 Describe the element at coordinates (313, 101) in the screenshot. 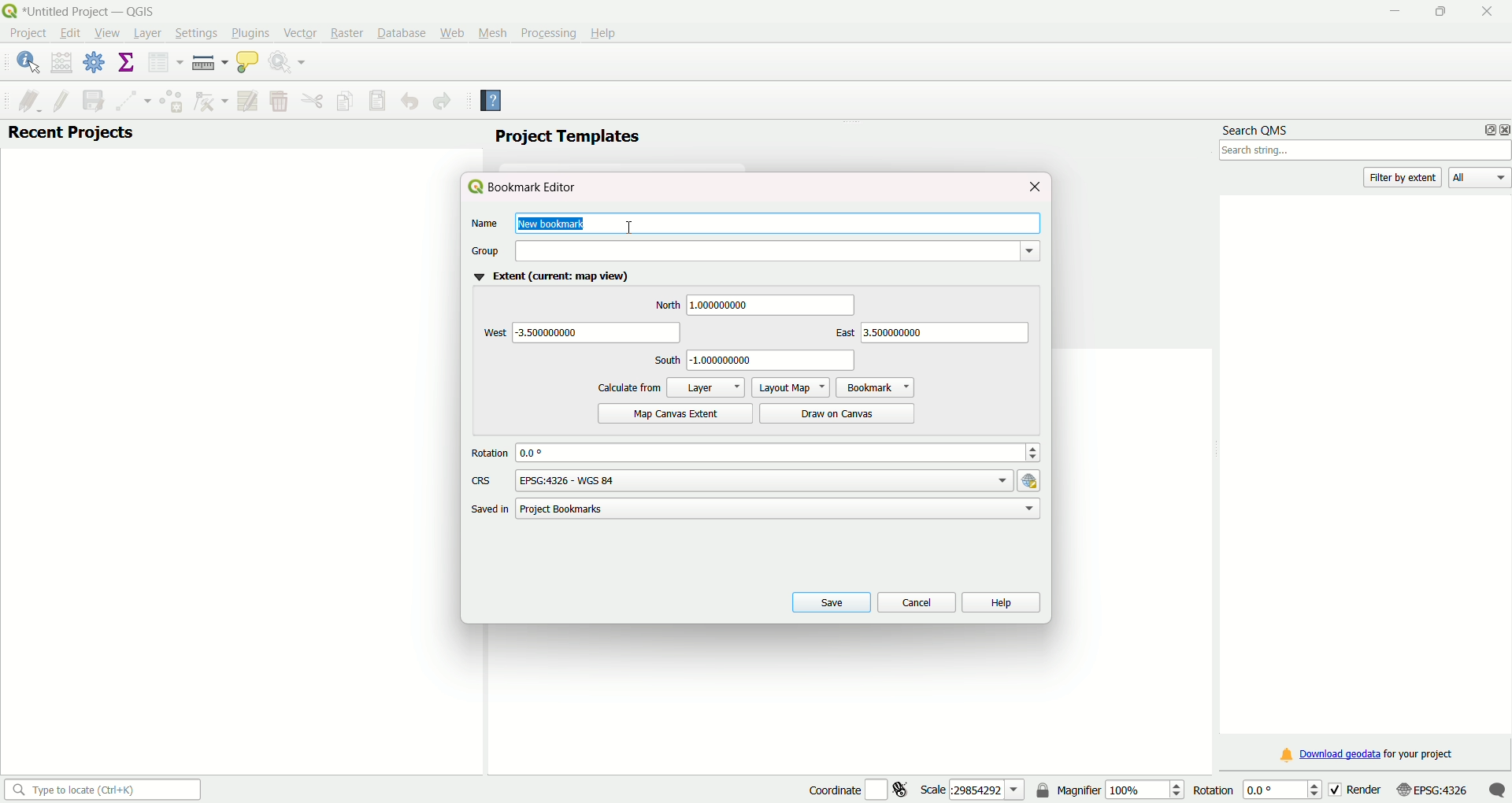

I see `cut feature` at that location.